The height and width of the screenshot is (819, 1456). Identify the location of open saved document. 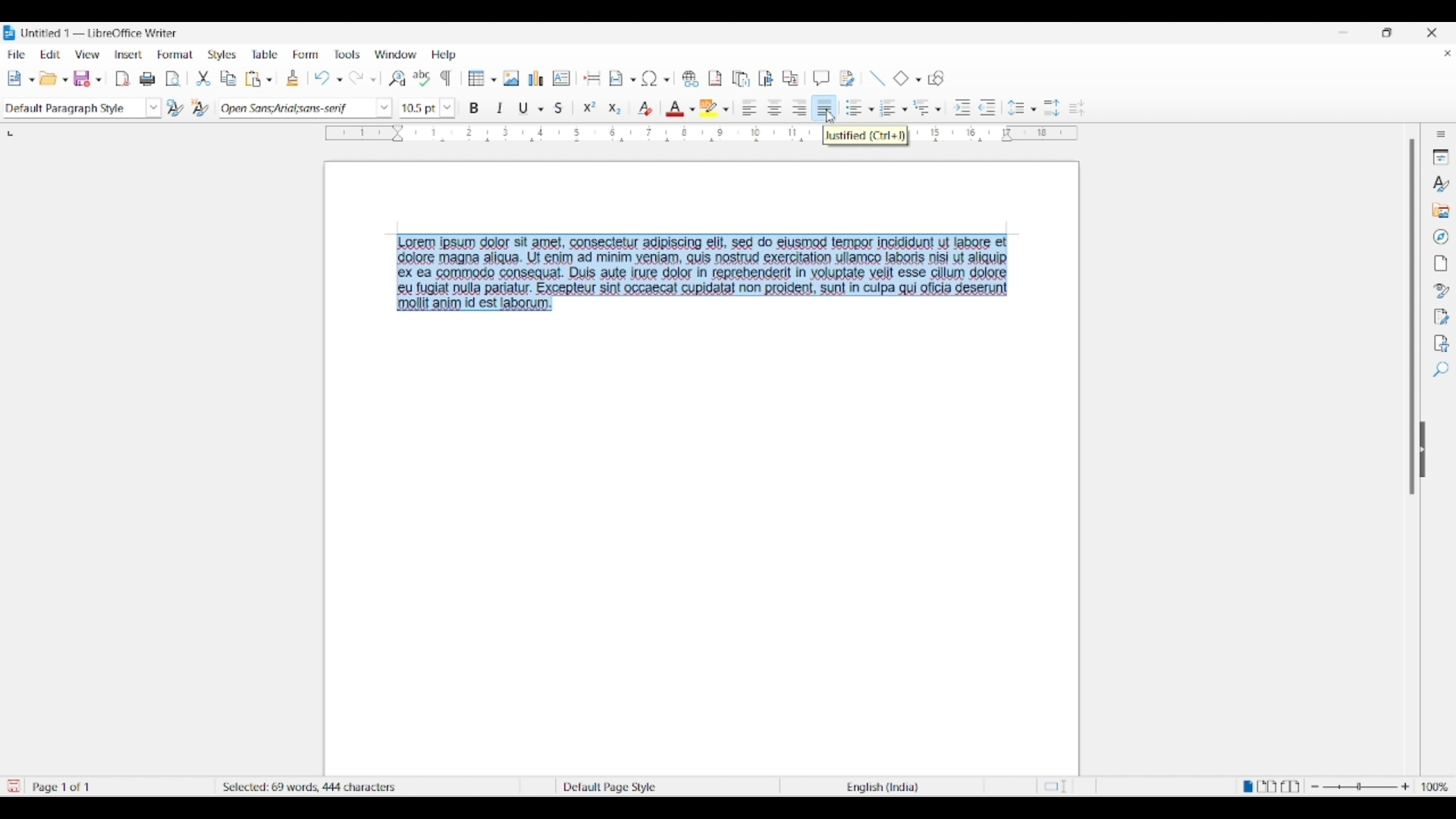
(50, 78).